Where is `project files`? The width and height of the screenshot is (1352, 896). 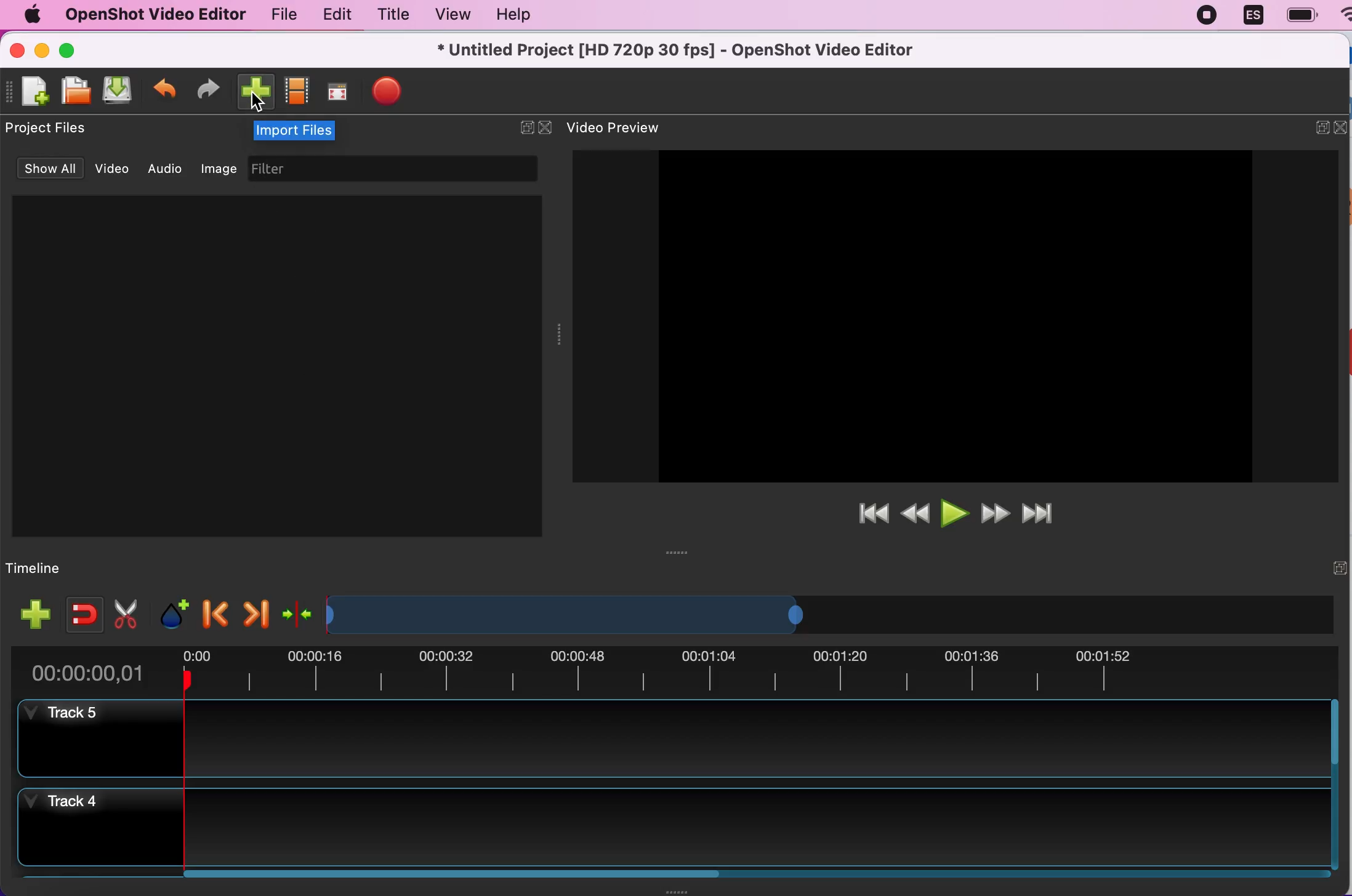
project files is located at coordinates (48, 127).